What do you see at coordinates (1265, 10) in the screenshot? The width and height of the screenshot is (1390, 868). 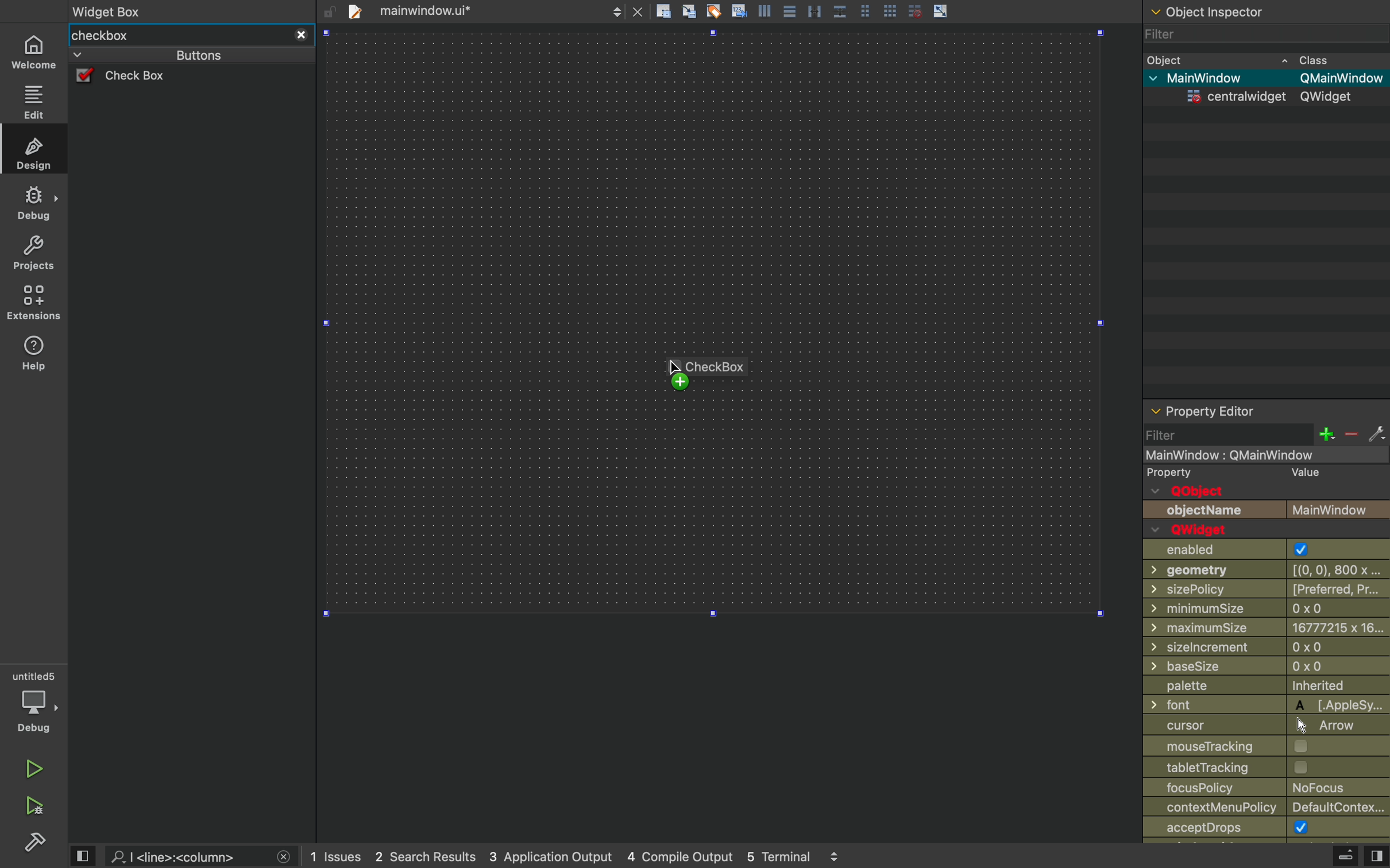 I see `object inspector` at bounding box center [1265, 10].